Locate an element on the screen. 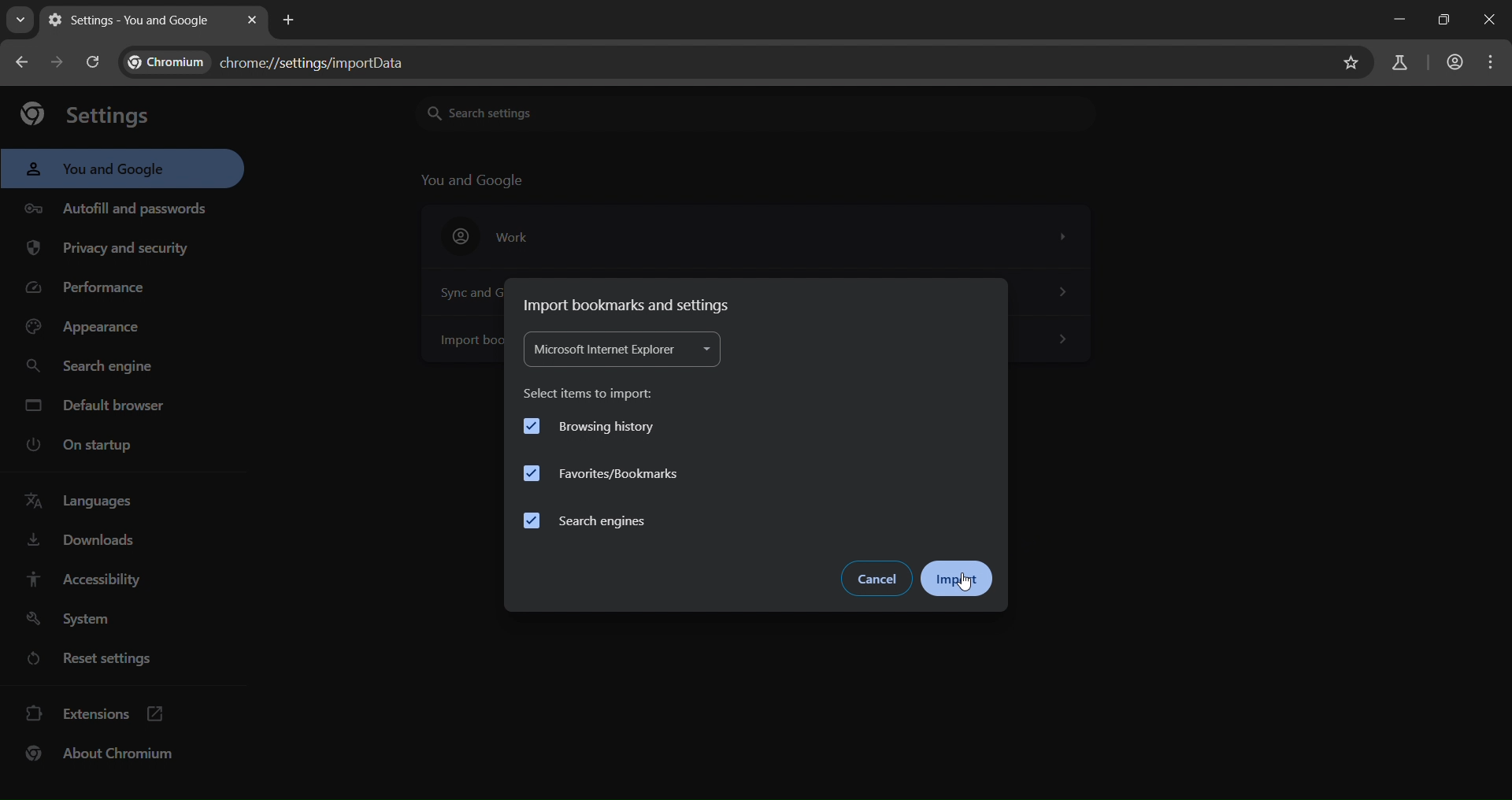 The width and height of the screenshot is (1512, 800). you and google is located at coordinates (98, 170).